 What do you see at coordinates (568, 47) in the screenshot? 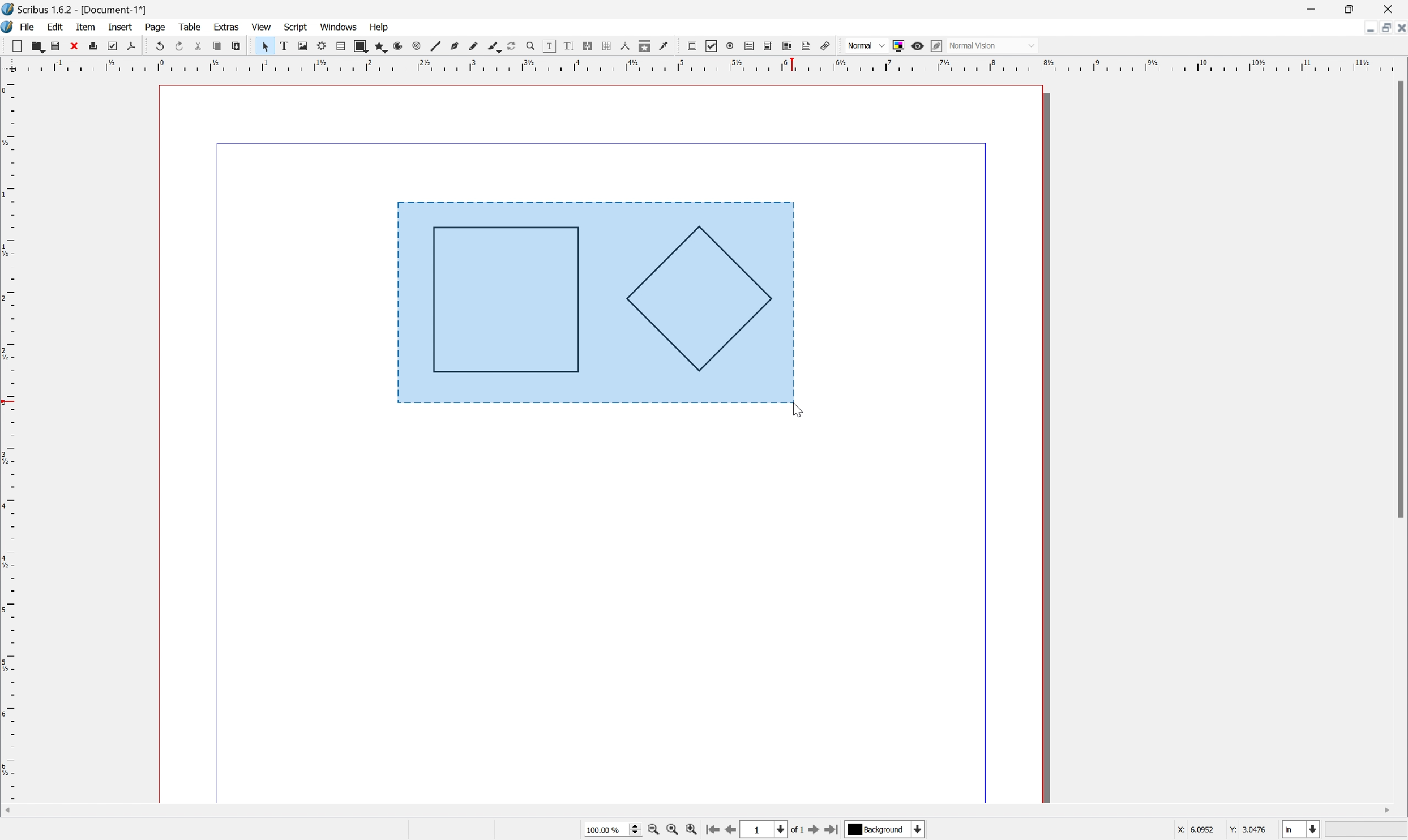
I see `edit text with story editor` at bounding box center [568, 47].